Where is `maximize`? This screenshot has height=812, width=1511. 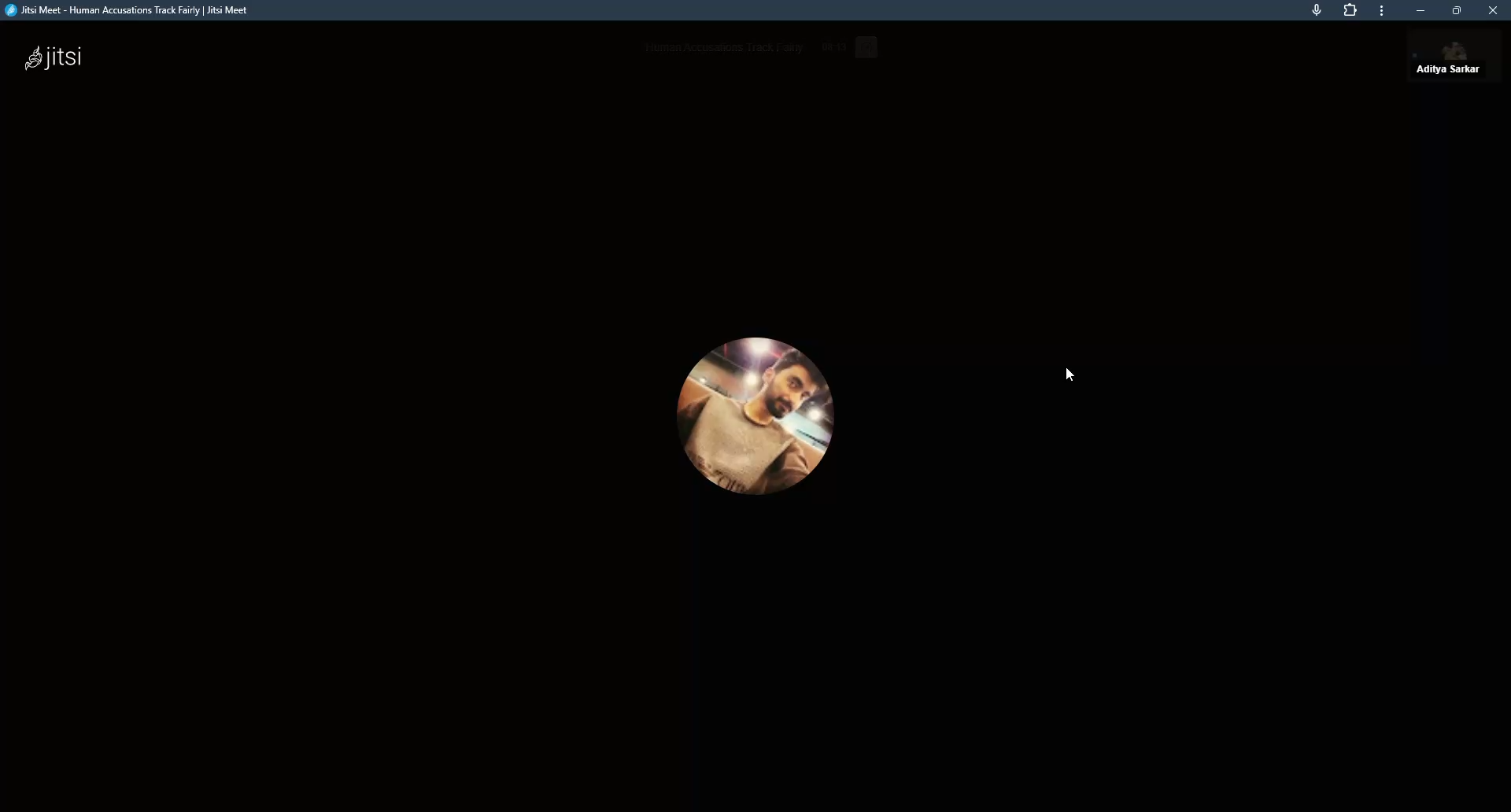
maximize is located at coordinates (1457, 10).